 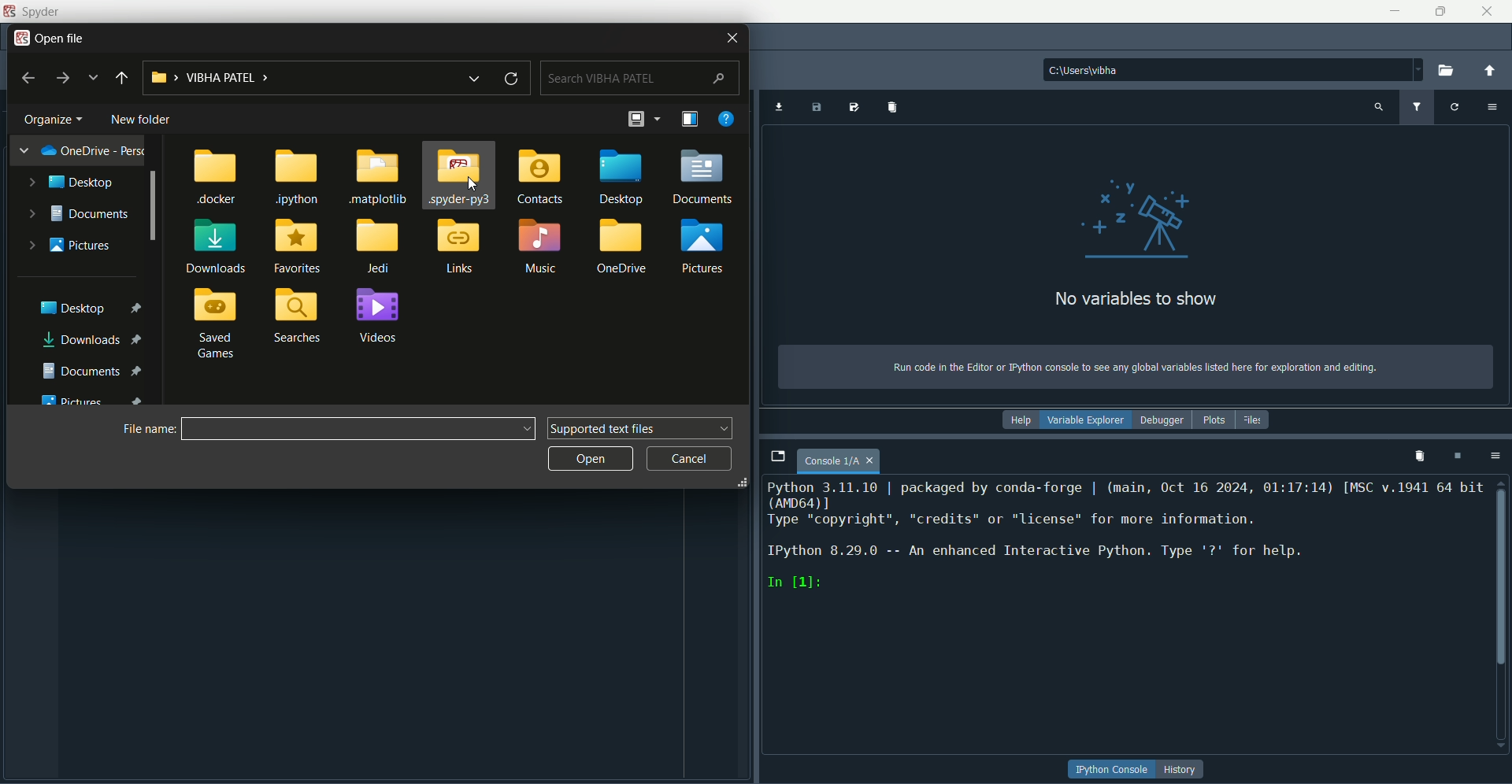 What do you see at coordinates (1024, 421) in the screenshot?
I see `help` at bounding box center [1024, 421].